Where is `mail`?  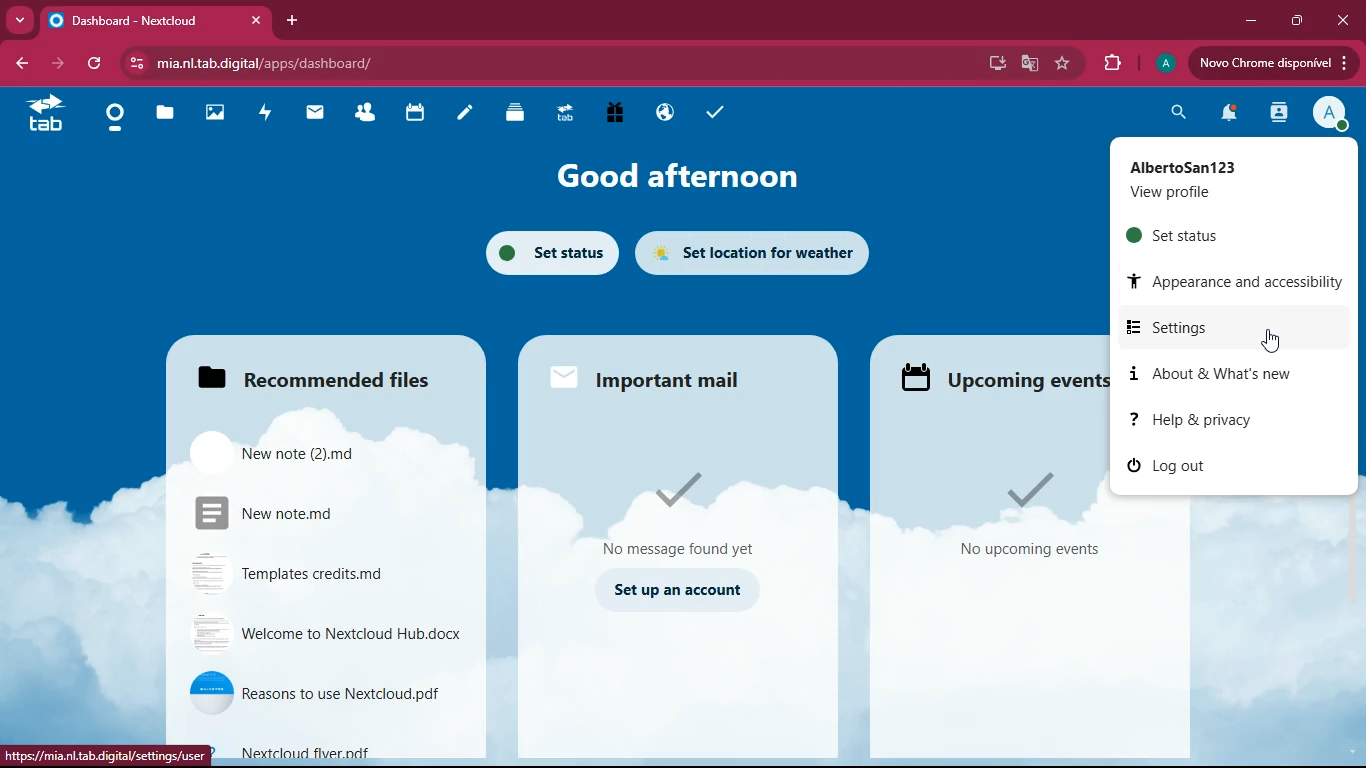
mail is located at coordinates (318, 118).